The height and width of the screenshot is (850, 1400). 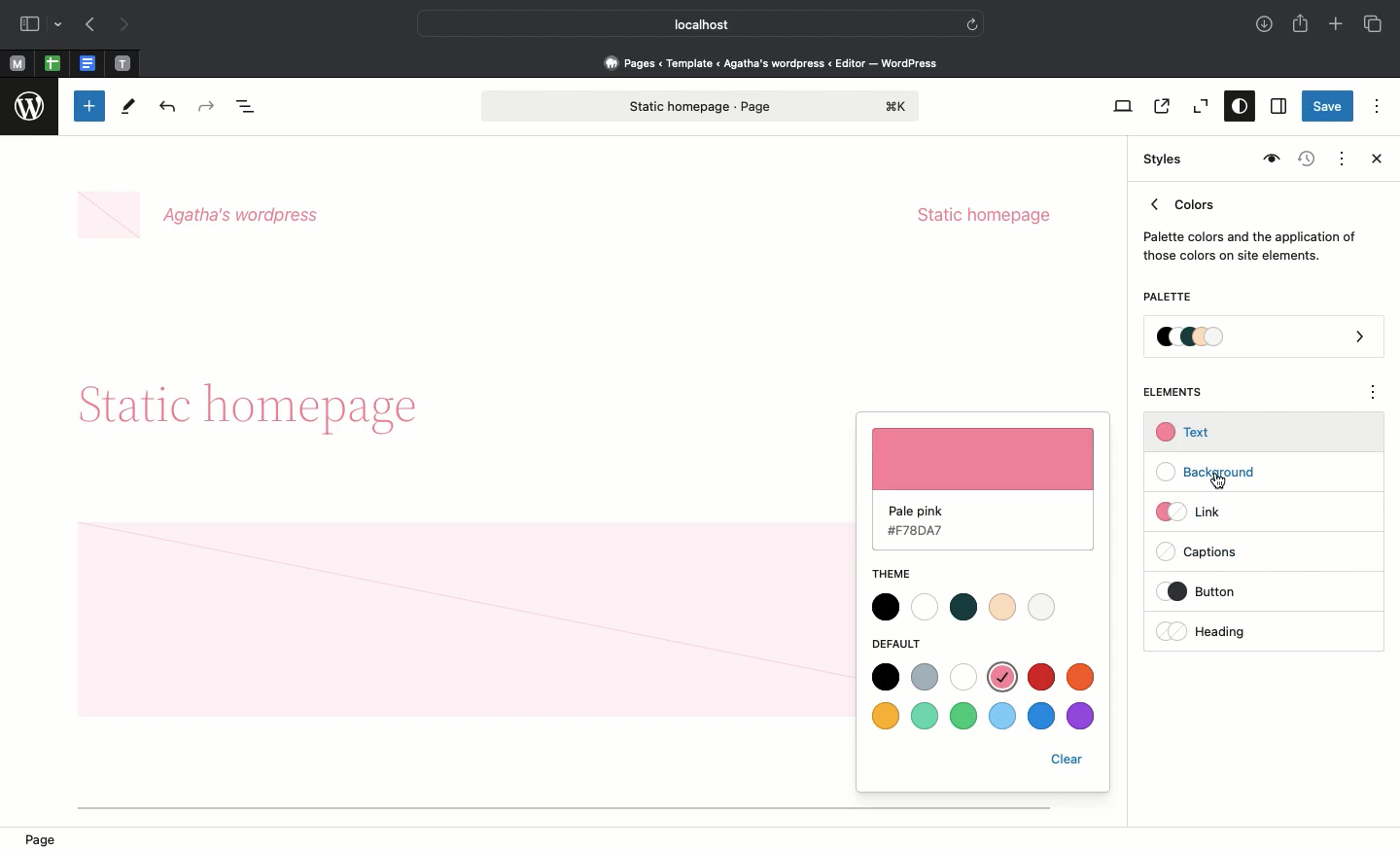 What do you see at coordinates (968, 607) in the screenshot?
I see `Theme colors` at bounding box center [968, 607].